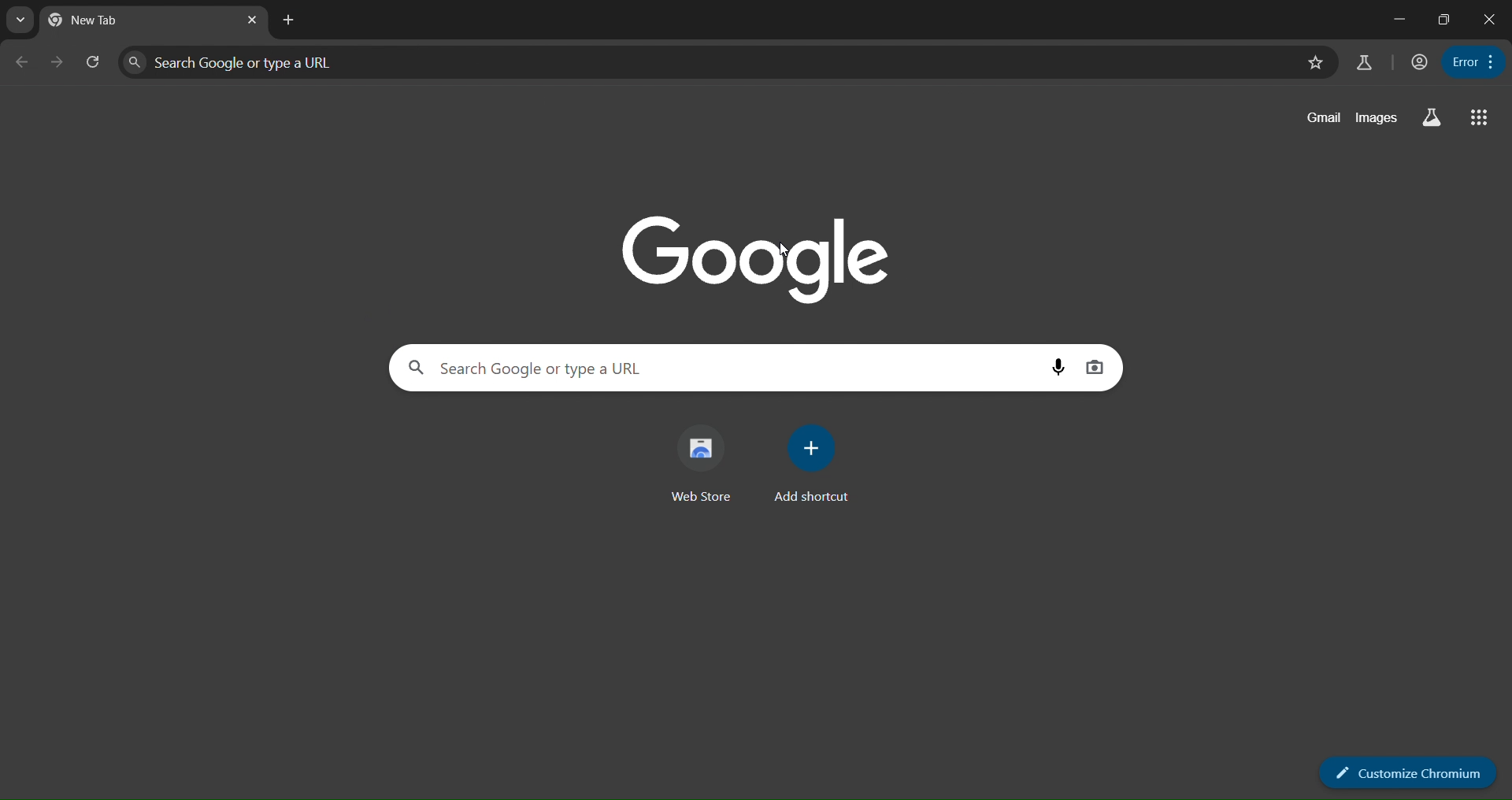  What do you see at coordinates (814, 464) in the screenshot?
I see `add shortcut` at bounding box center [814, 464].